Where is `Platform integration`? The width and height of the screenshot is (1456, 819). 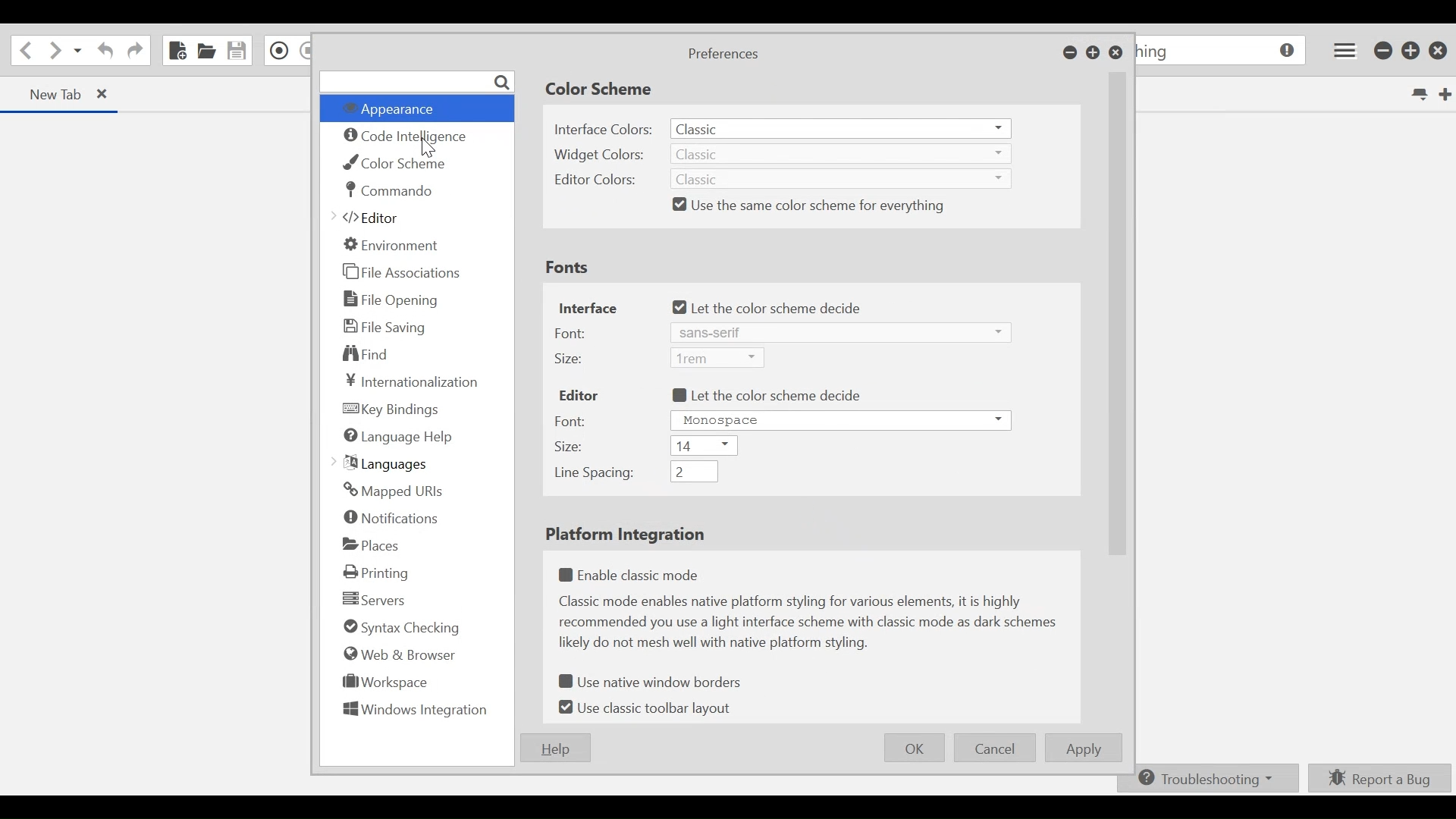 Platform integration is located at coordinates (621, 535).